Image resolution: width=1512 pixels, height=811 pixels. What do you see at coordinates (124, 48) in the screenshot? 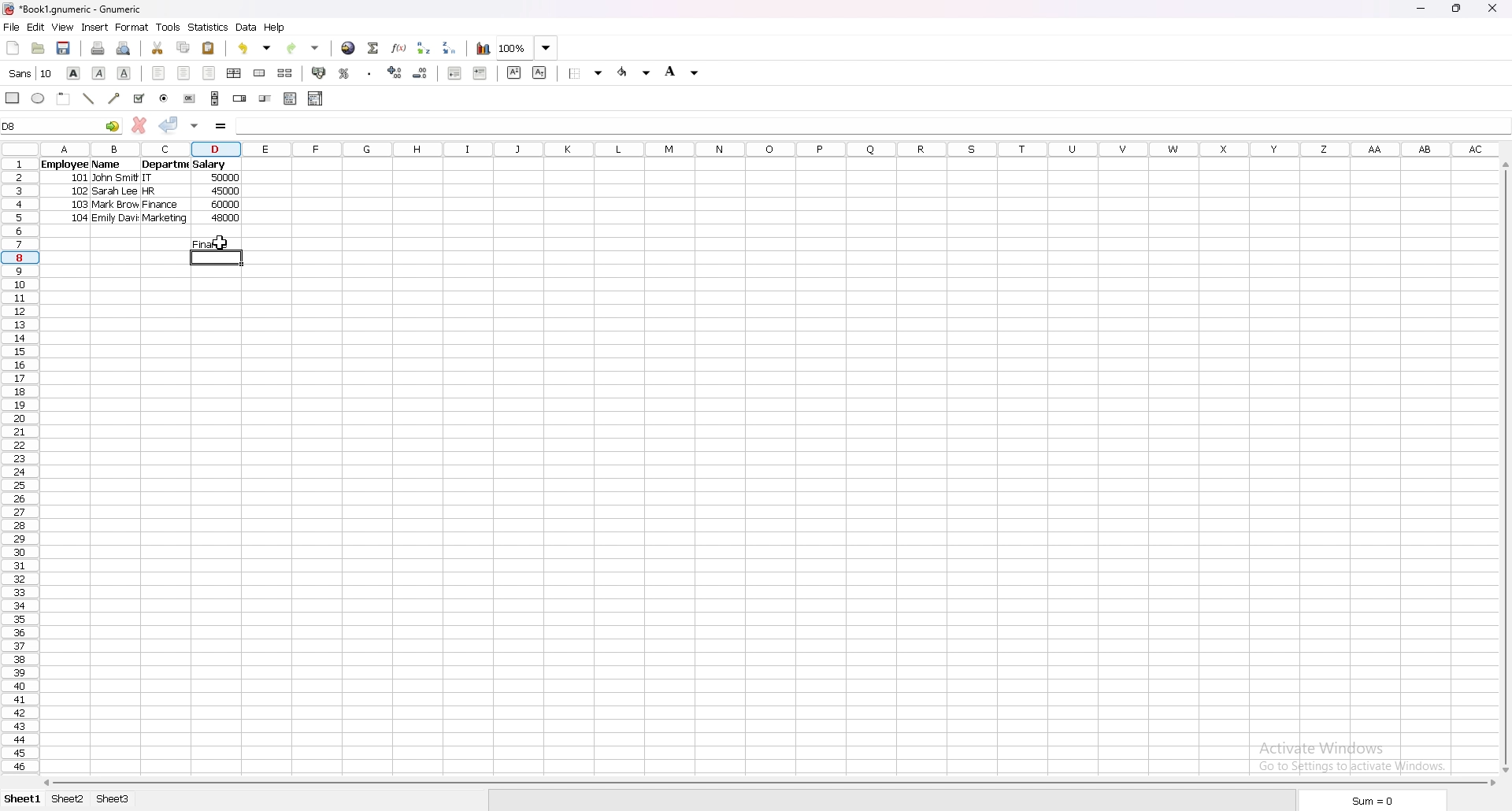
I see `print preview` at bounding box center [124, 48].